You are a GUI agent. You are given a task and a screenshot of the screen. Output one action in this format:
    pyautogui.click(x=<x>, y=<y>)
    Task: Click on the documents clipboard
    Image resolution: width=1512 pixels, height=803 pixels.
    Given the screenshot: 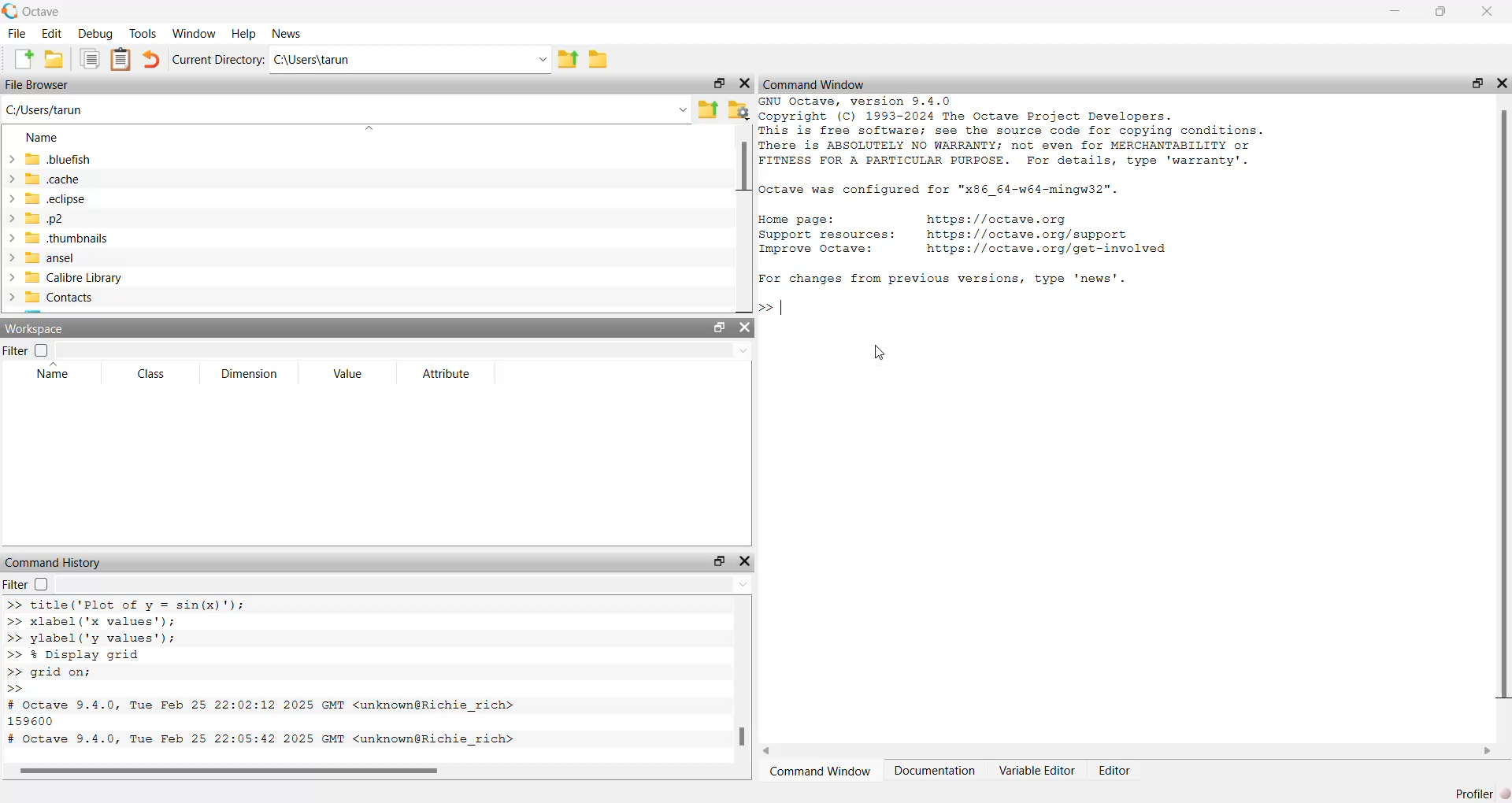 What is the action you would take?
    pyautogui.click(x=120, y=58)
    